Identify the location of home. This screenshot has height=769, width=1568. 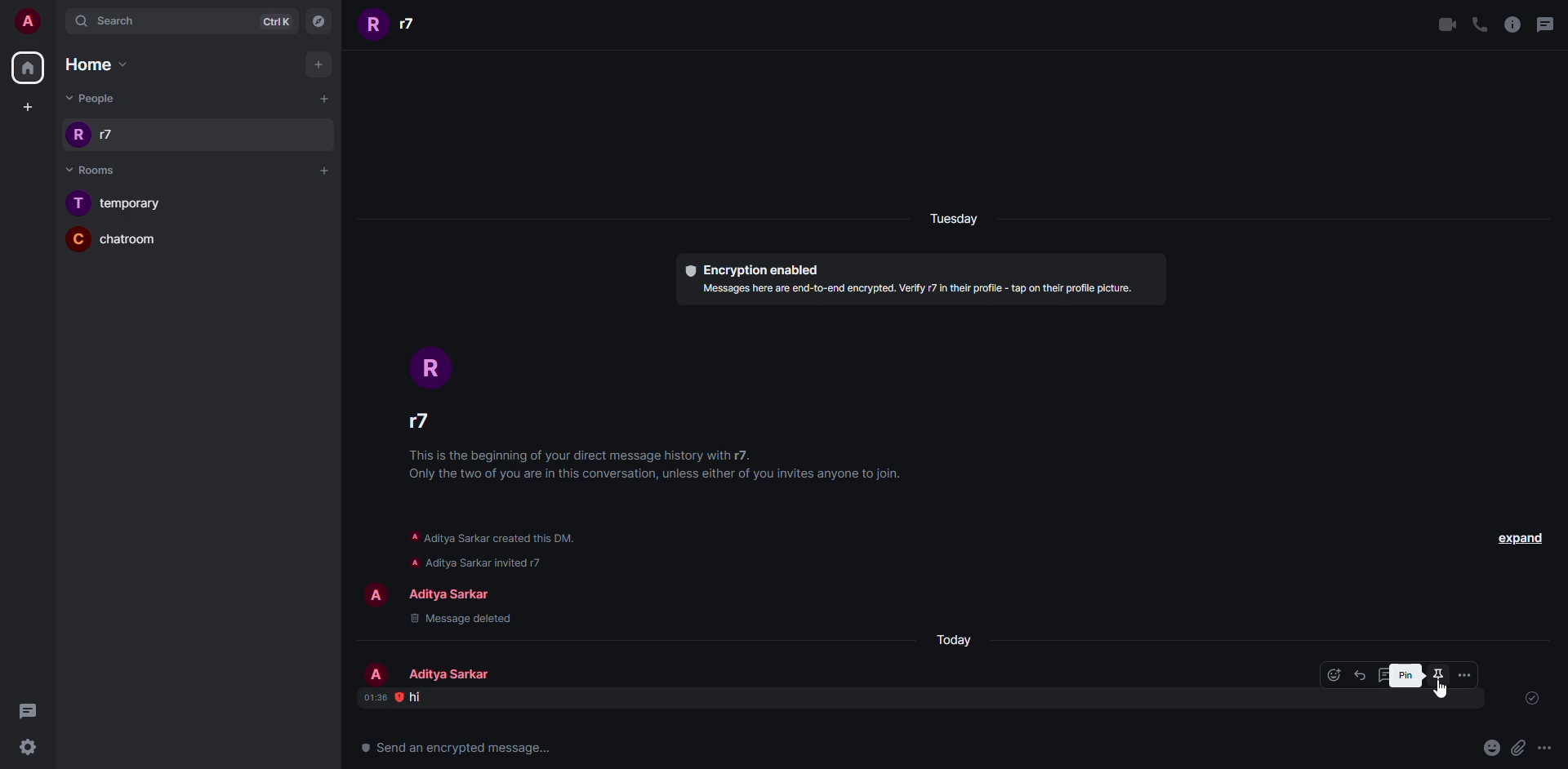
(30, 68).